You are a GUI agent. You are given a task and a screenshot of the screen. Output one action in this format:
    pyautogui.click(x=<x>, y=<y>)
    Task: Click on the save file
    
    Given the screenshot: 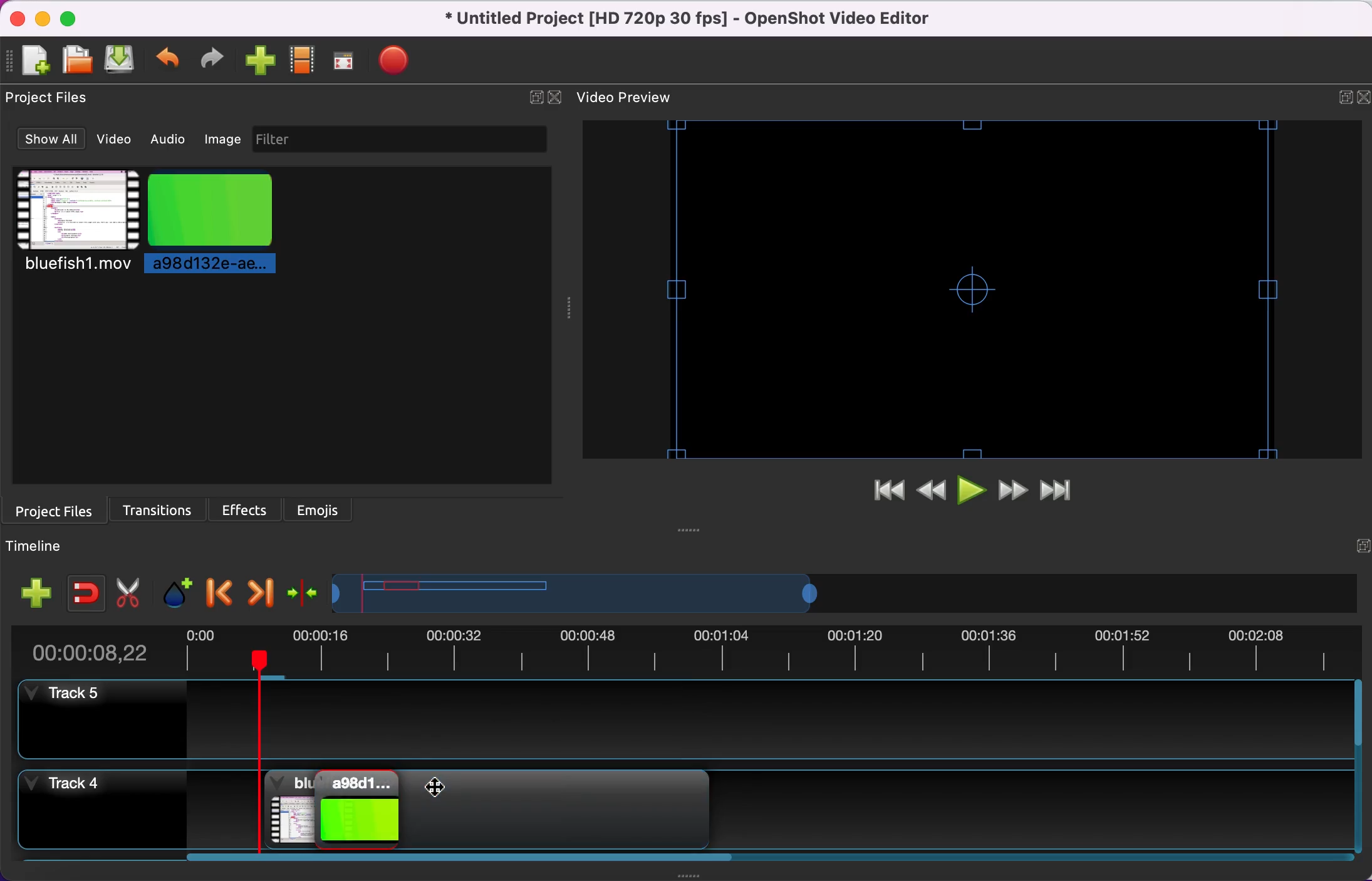 What is the action you would take?
    pyautogui.click(x=118, y=60)
    